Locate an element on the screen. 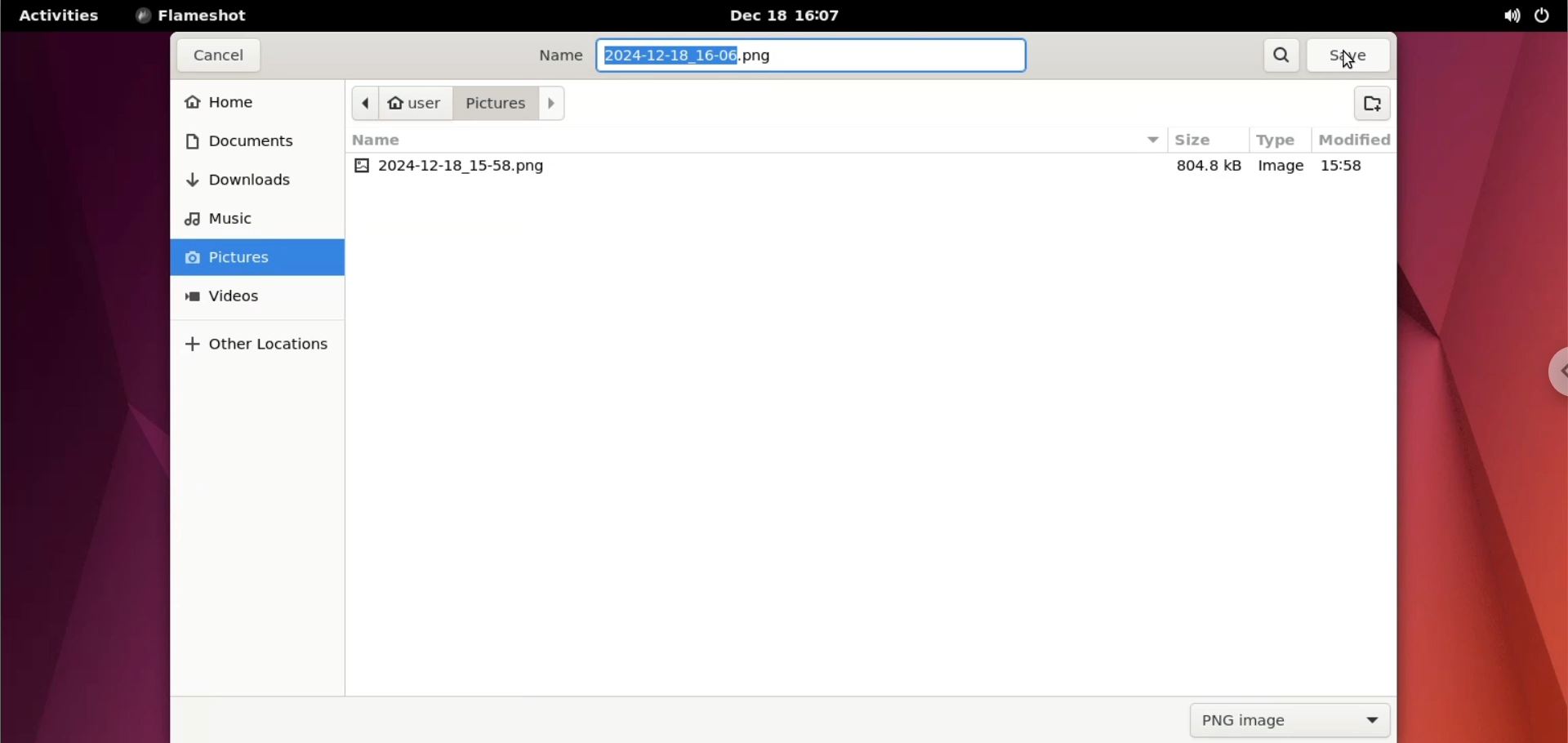  file modification date is located at coordinates (1346, 167).